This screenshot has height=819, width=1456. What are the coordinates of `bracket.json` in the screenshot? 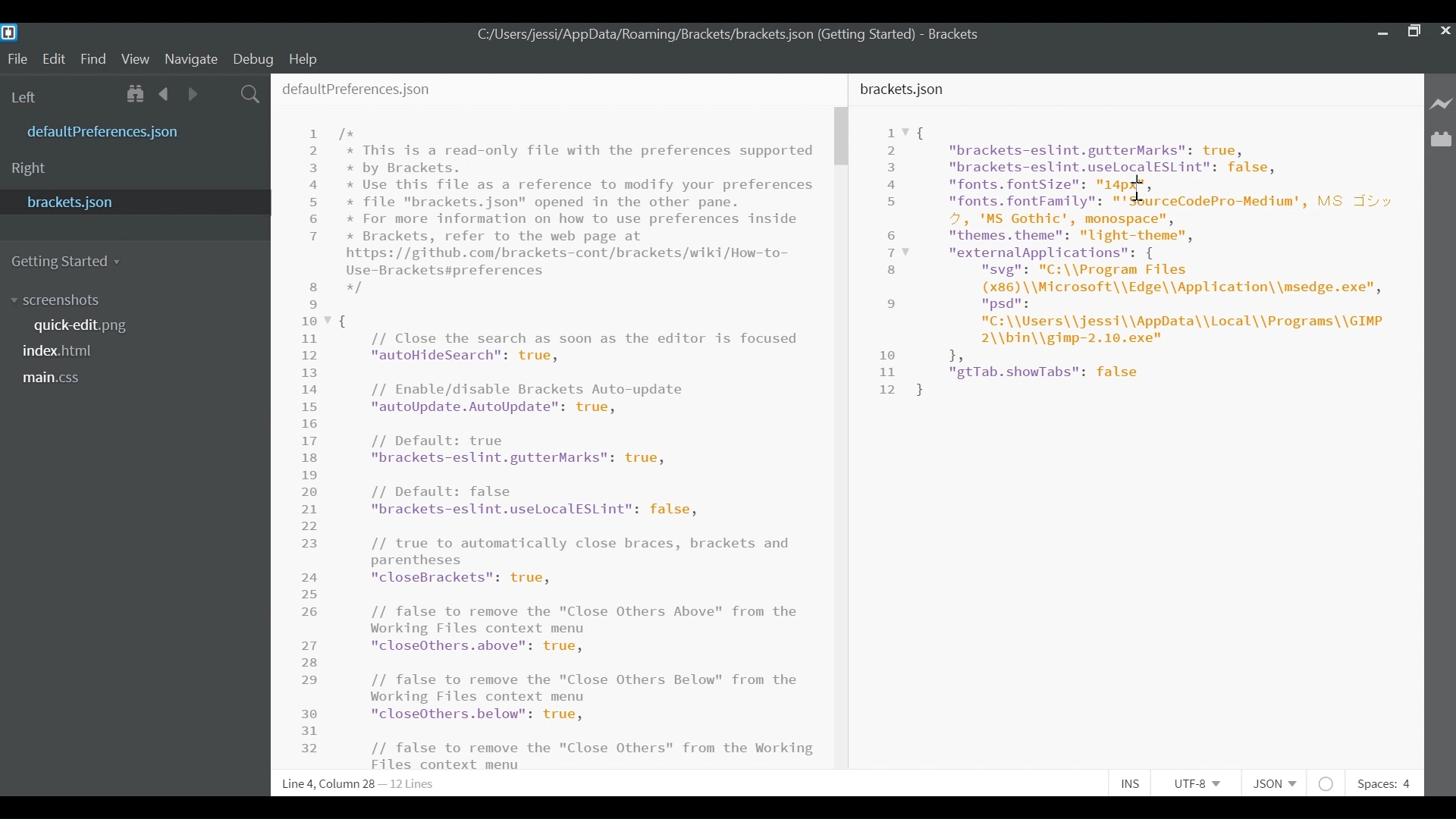 It's located at (132, 201).